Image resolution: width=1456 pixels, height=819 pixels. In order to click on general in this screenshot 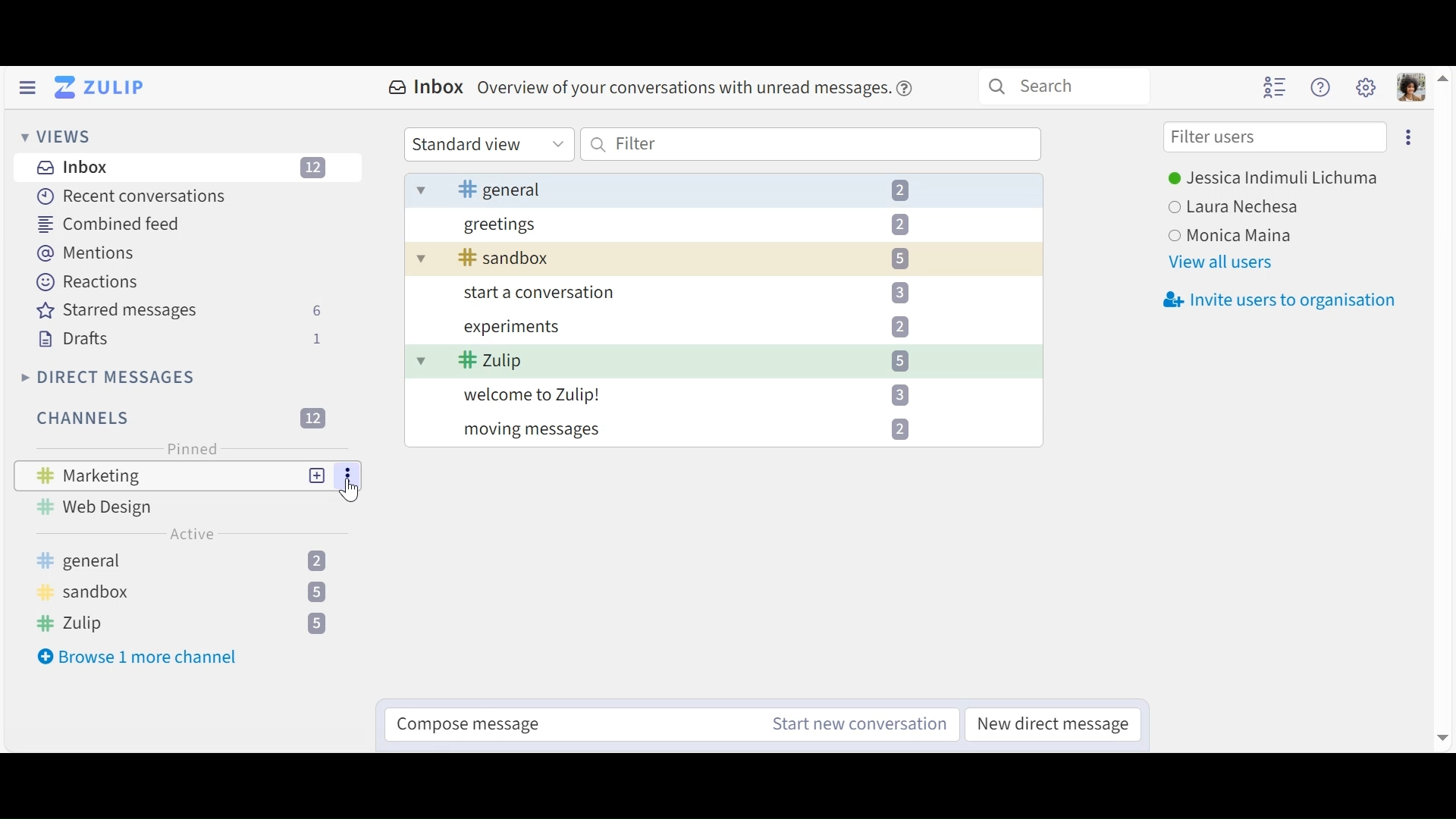, I will do `click(721, 192)`.